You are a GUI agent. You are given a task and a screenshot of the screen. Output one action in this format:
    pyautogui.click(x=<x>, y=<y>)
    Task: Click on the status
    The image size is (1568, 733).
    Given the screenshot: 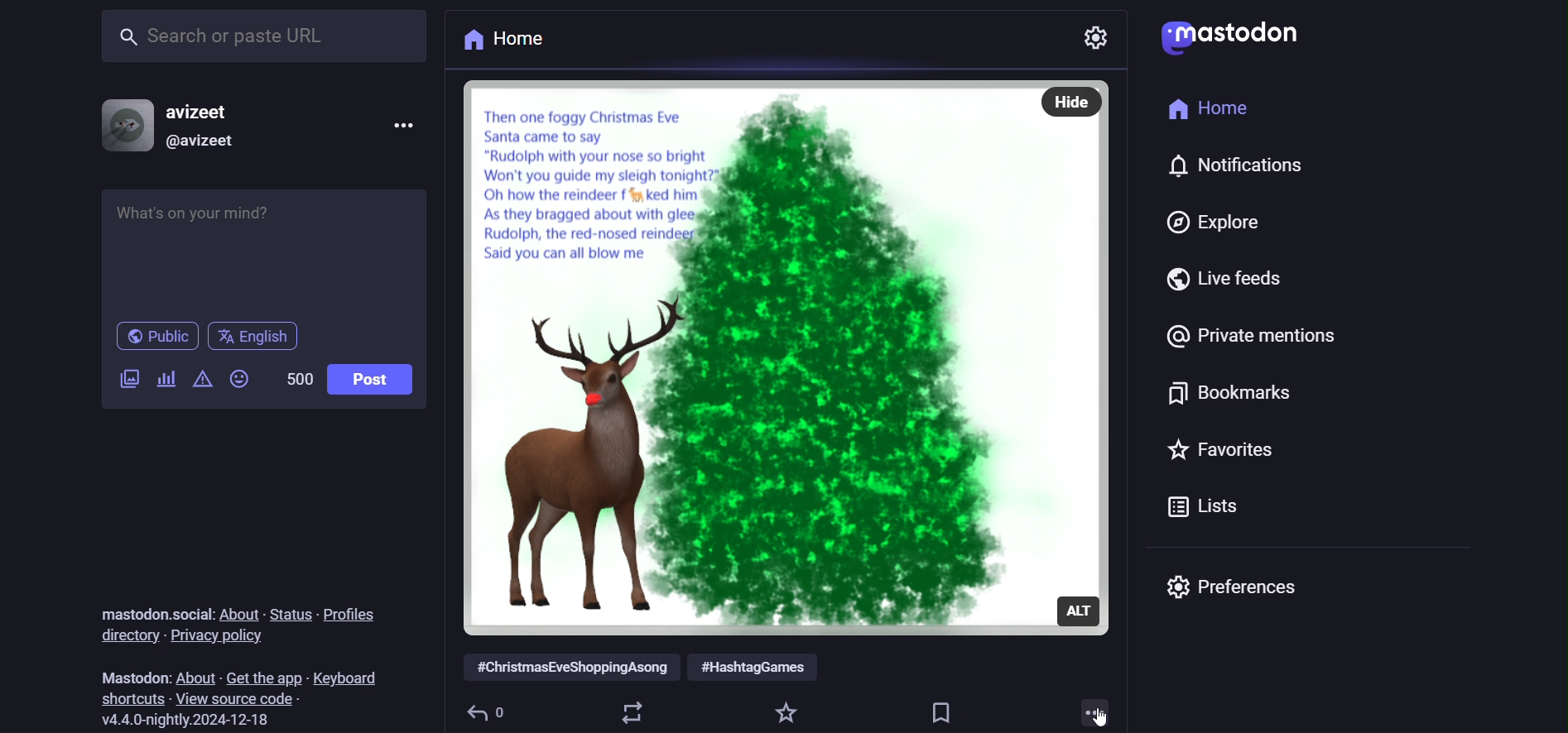 What is the action you would take?
    pyautogui.click(x=286, y=614)
    